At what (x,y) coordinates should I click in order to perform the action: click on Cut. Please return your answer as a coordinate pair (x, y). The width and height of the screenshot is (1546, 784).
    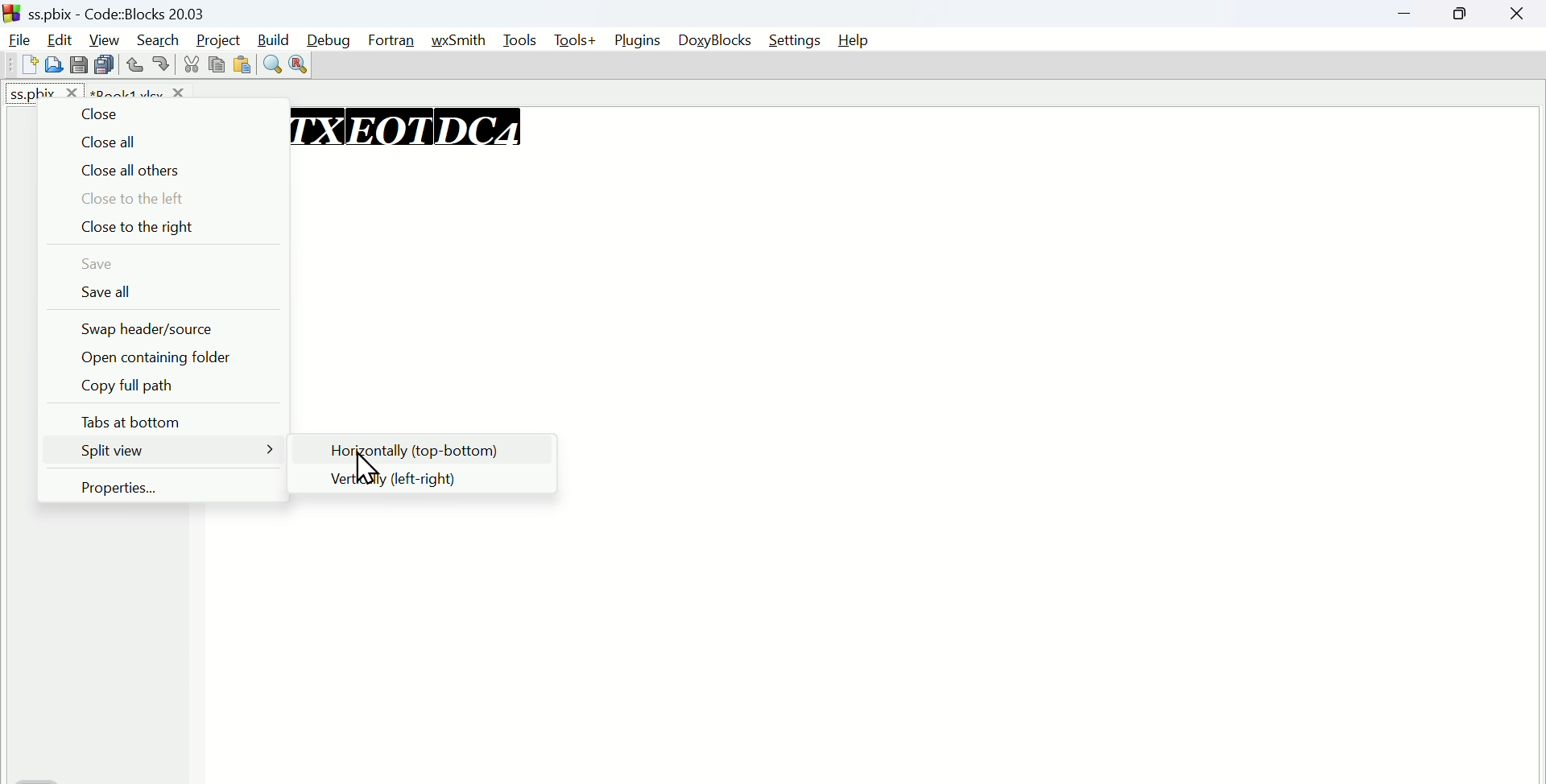
    Looking at the image, I should click on (188, 64).